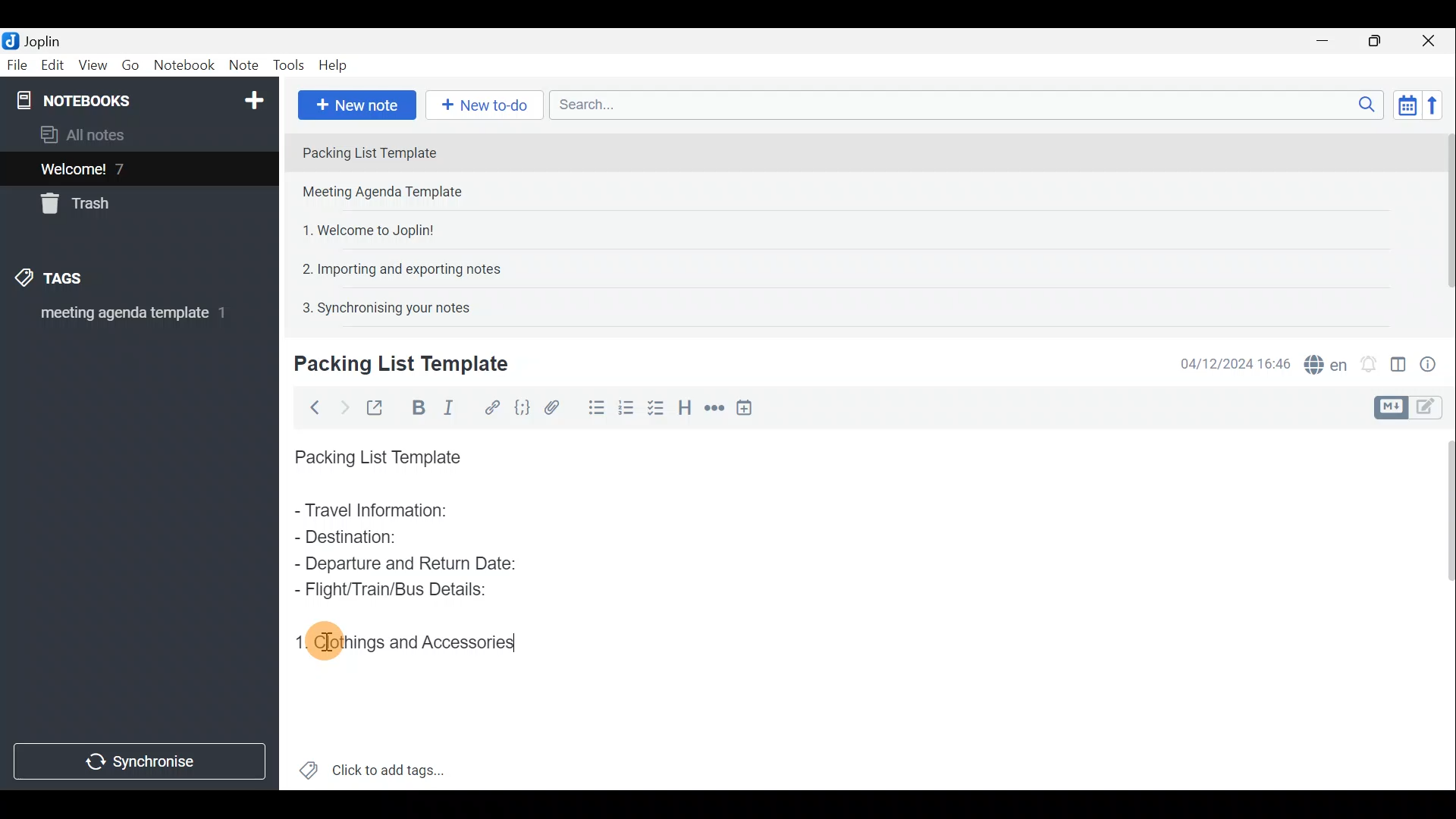 The image size is (1456, 819). Describe the element at coordinates (137, 99) in the screenshot. I see `Notebook` at that location.